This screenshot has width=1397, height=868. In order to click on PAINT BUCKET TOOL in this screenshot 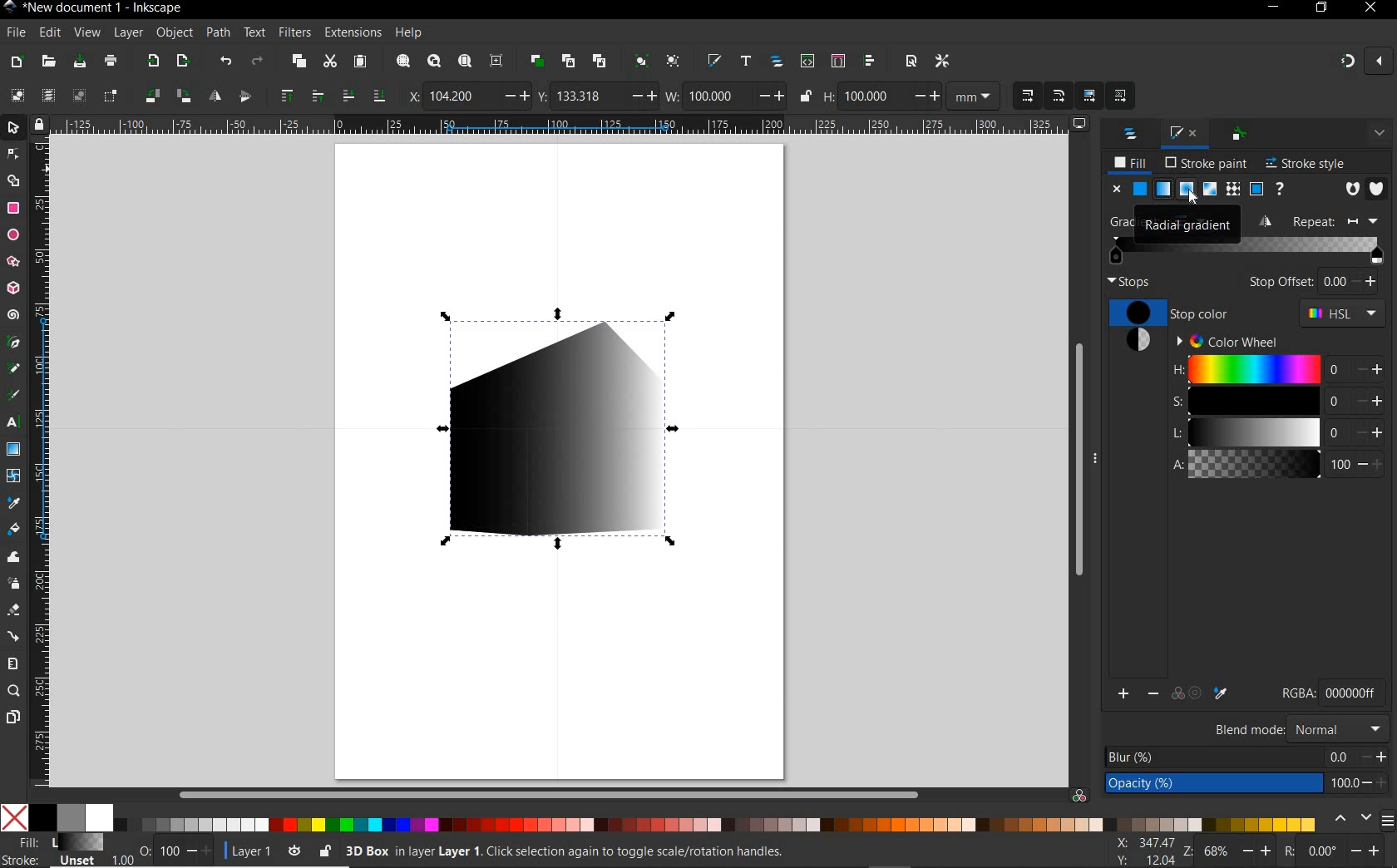, I will do `click(12, 529)`.